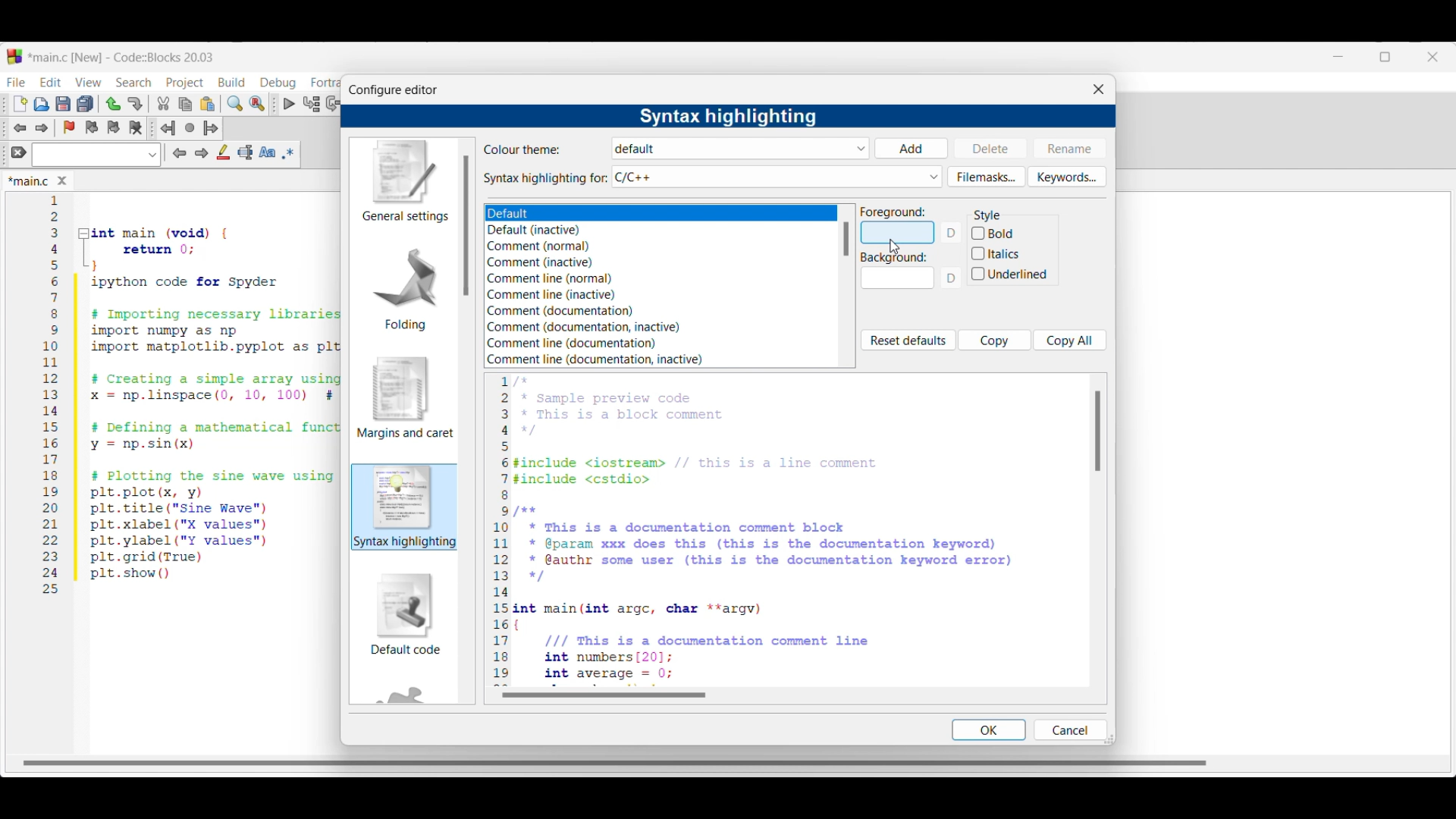  I want to click on Debug menu, so click(278, 83).